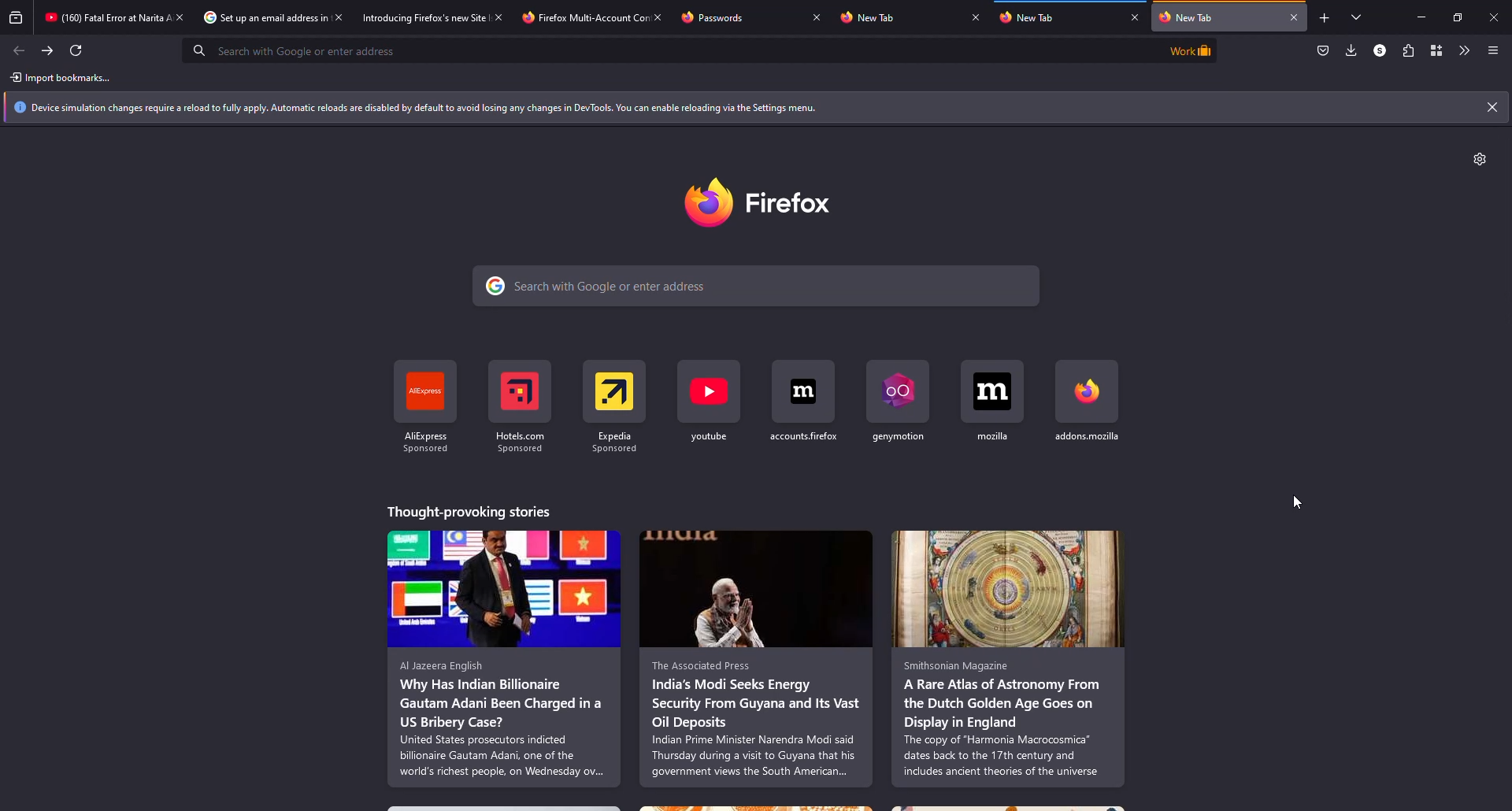  What do you see at coordinates (1414, 17) in the screenshot?
I see `minimize` at bounding box center [1414, 17].